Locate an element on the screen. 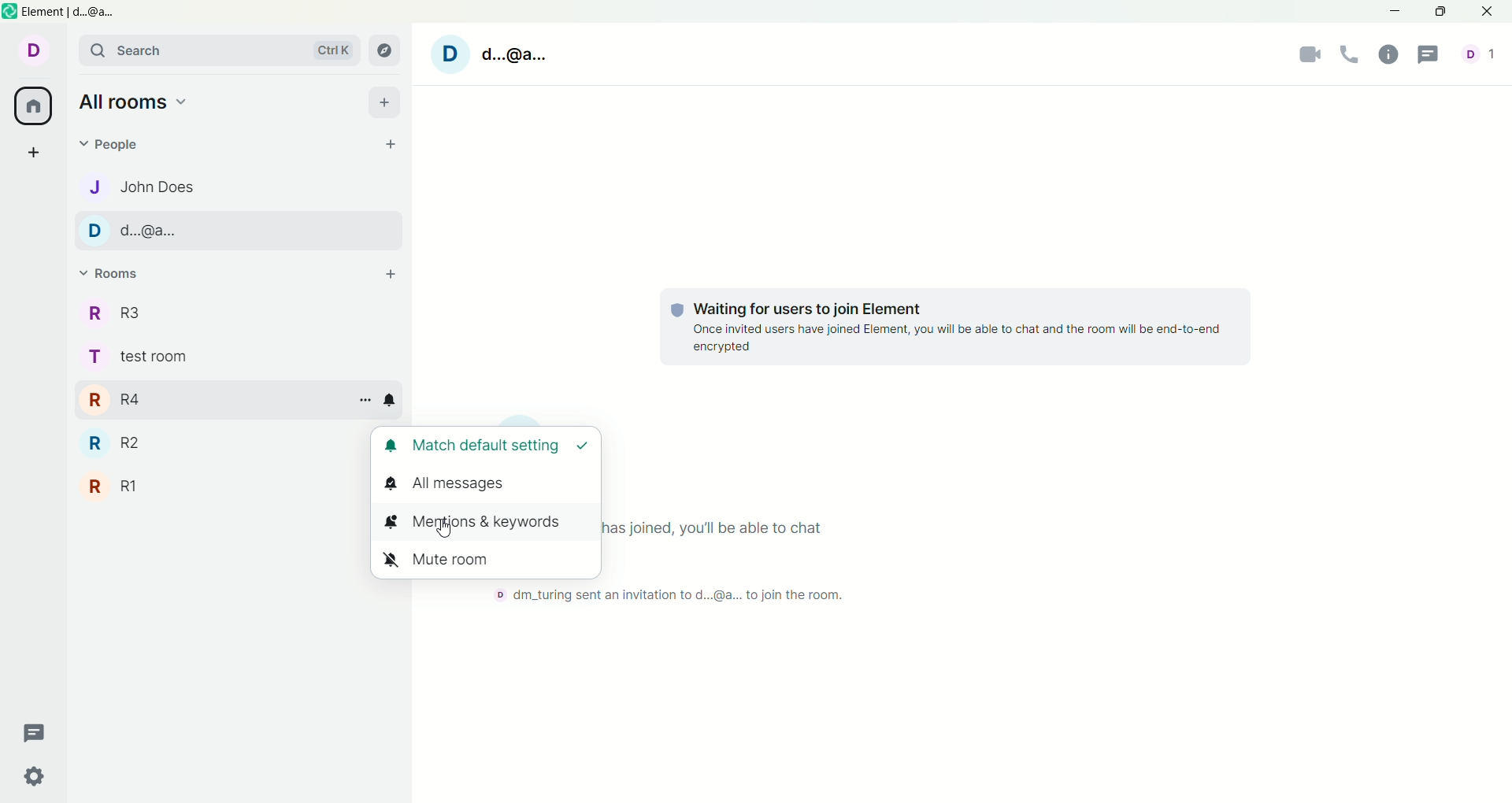  voice call is located at coordinates (1349, 55).